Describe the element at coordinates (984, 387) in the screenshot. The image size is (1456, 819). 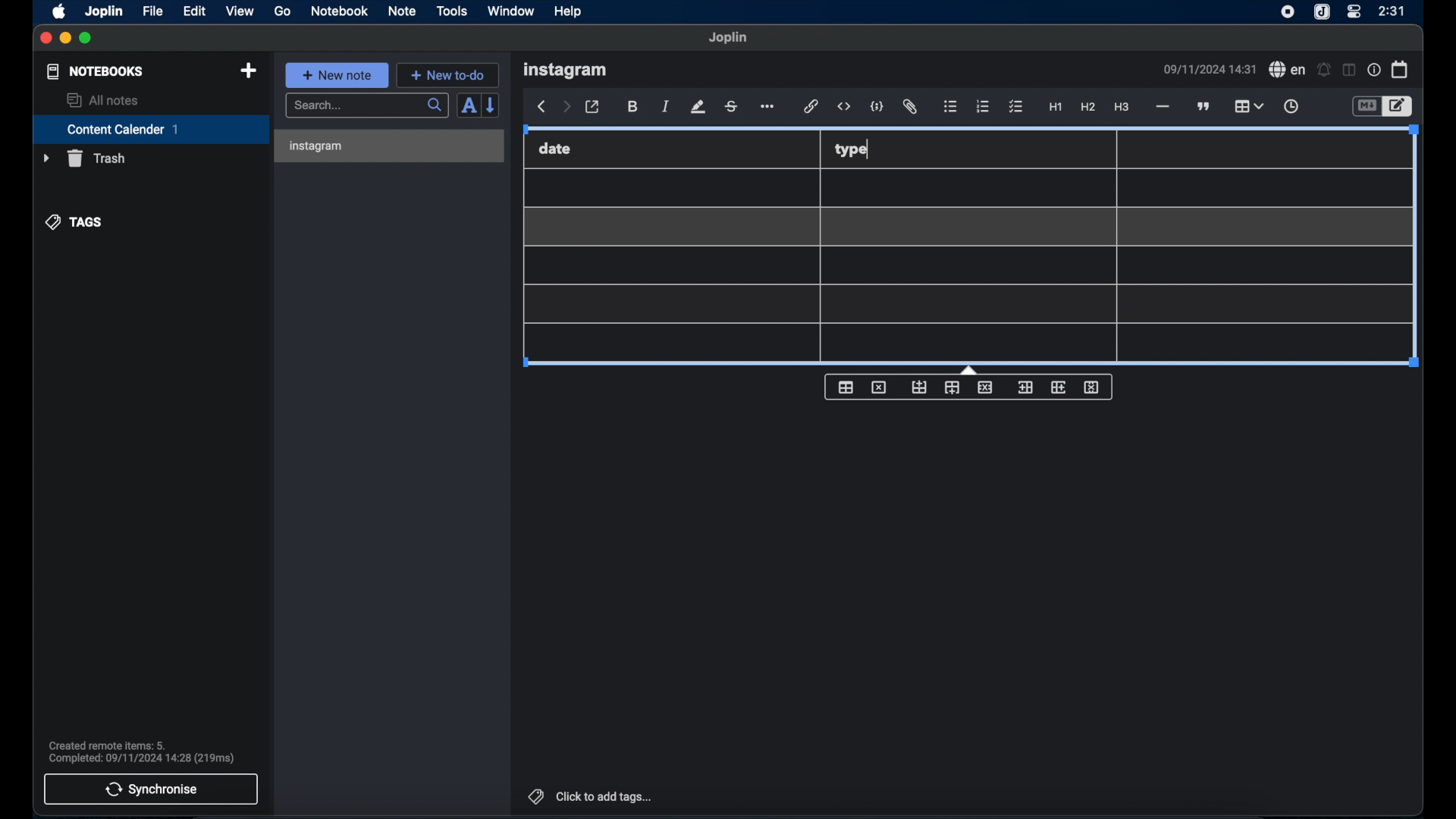
I see `delete row` at that location.